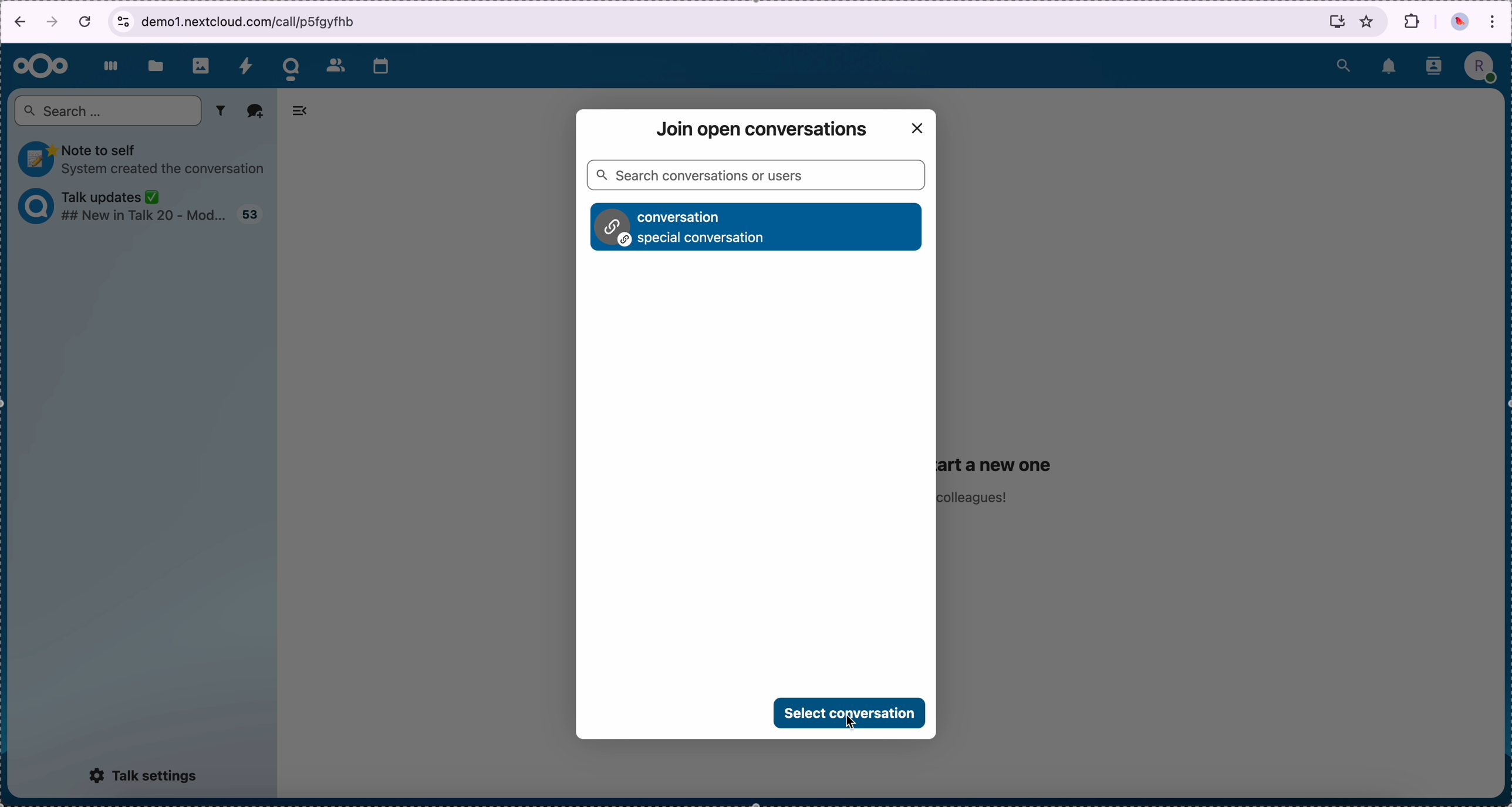  I want to click on search bar, so click(753, 177).